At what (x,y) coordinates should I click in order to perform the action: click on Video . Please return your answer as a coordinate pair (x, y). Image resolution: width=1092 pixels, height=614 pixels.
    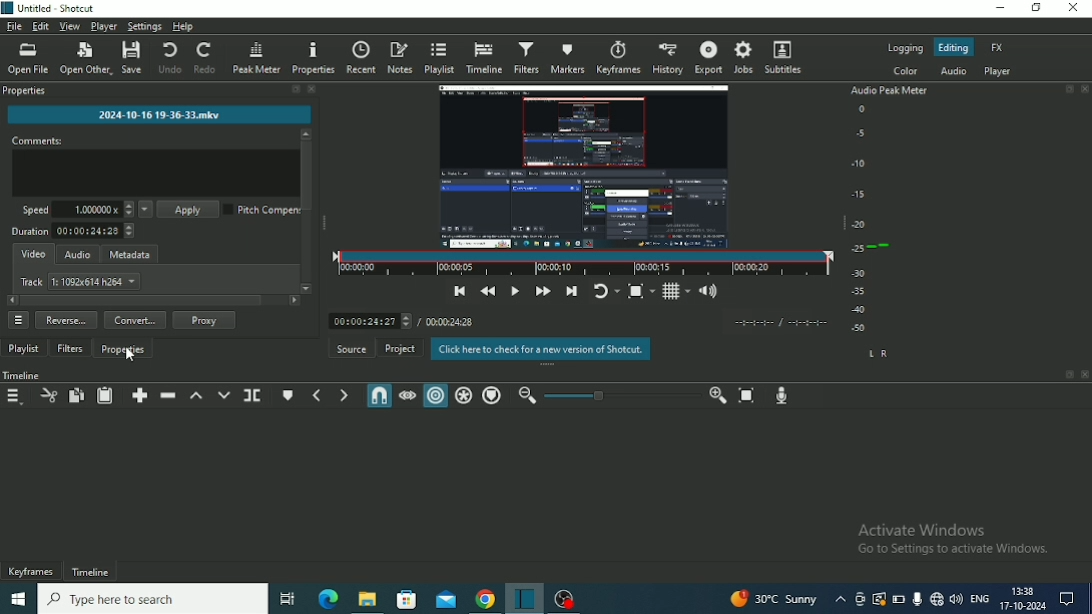
    Looking at the image, I should click on (581, 165).